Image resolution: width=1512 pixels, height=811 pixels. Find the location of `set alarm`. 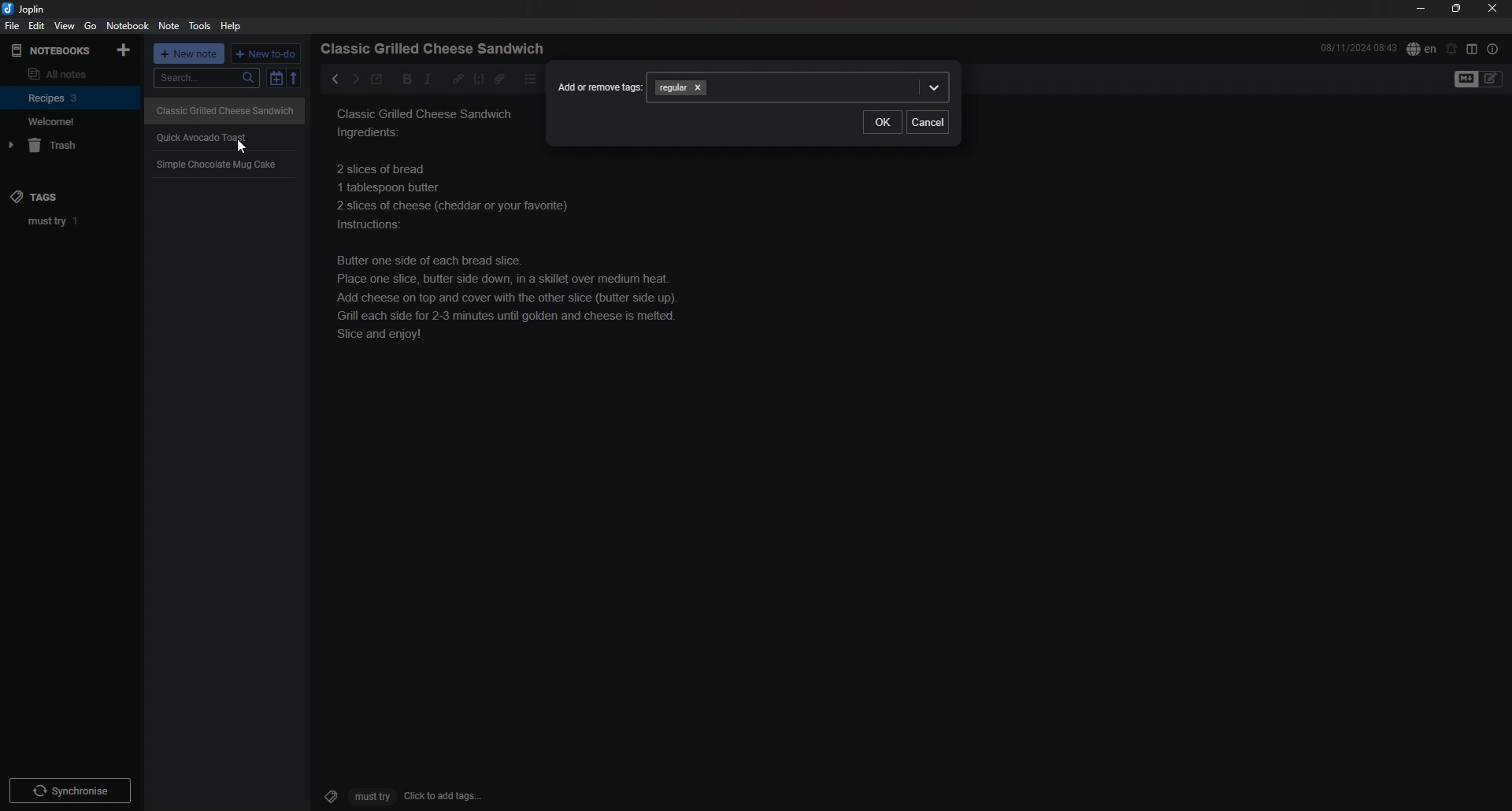

set alarm is located at coordinates (1452, 48).